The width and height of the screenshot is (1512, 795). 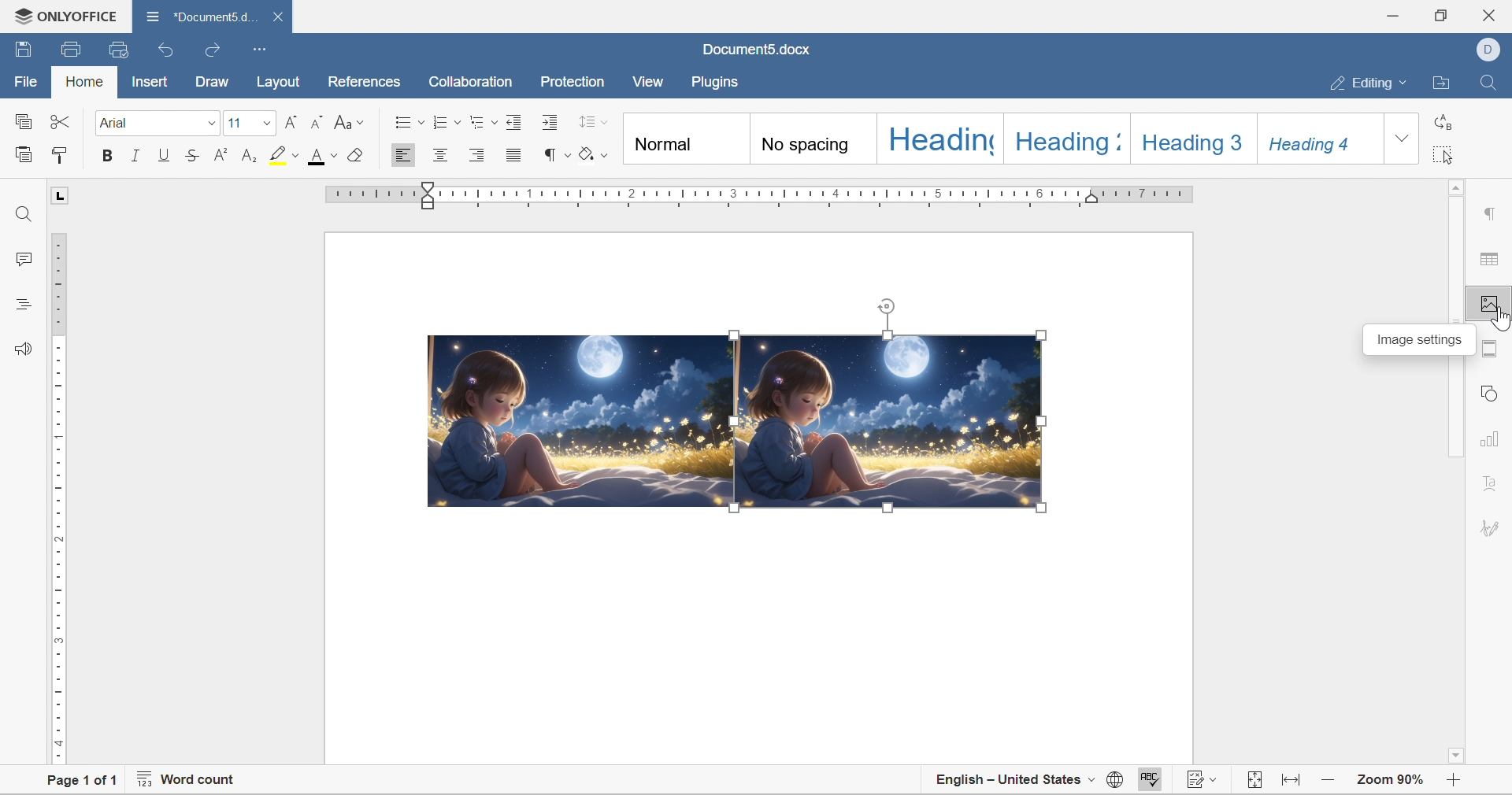 What do you see at coordinates (1492, 260) in the screenshot?
I see `table settings` at bounding box center [1492, 260].